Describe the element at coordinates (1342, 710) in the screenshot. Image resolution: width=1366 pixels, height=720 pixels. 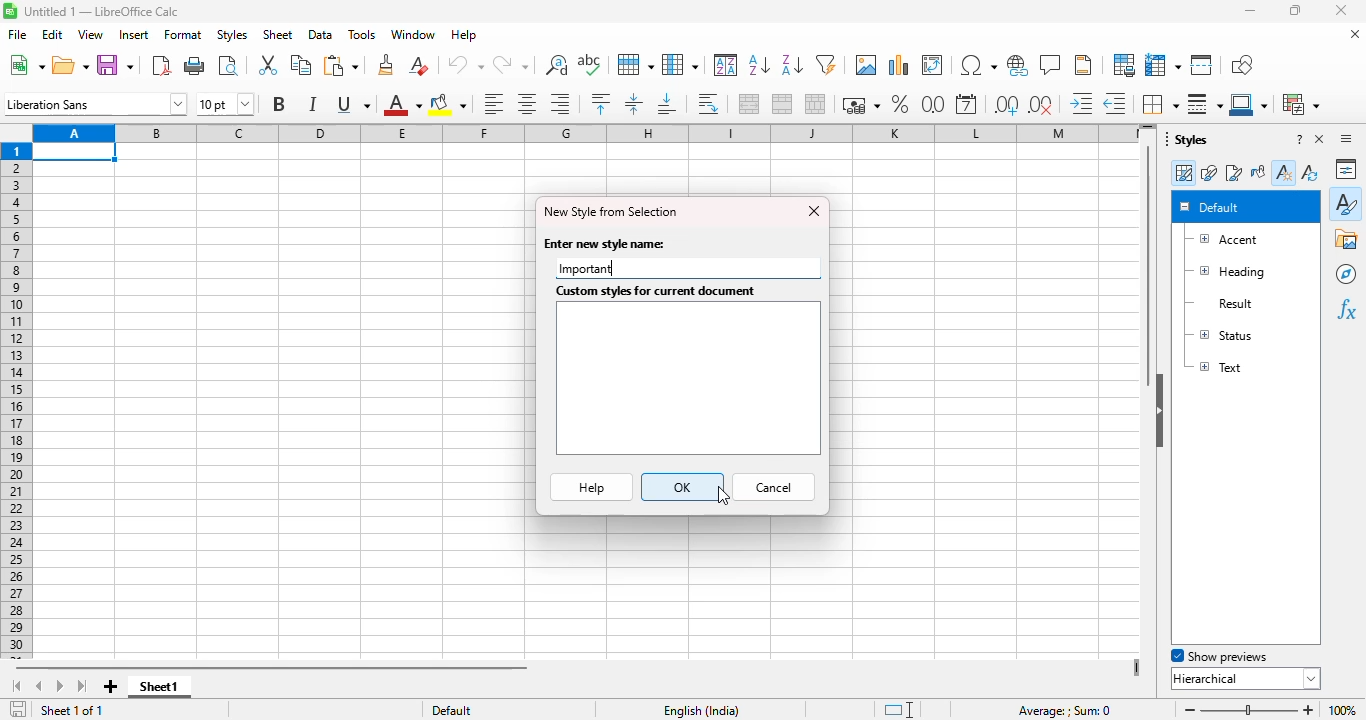
I see `zoom factor` at that location.